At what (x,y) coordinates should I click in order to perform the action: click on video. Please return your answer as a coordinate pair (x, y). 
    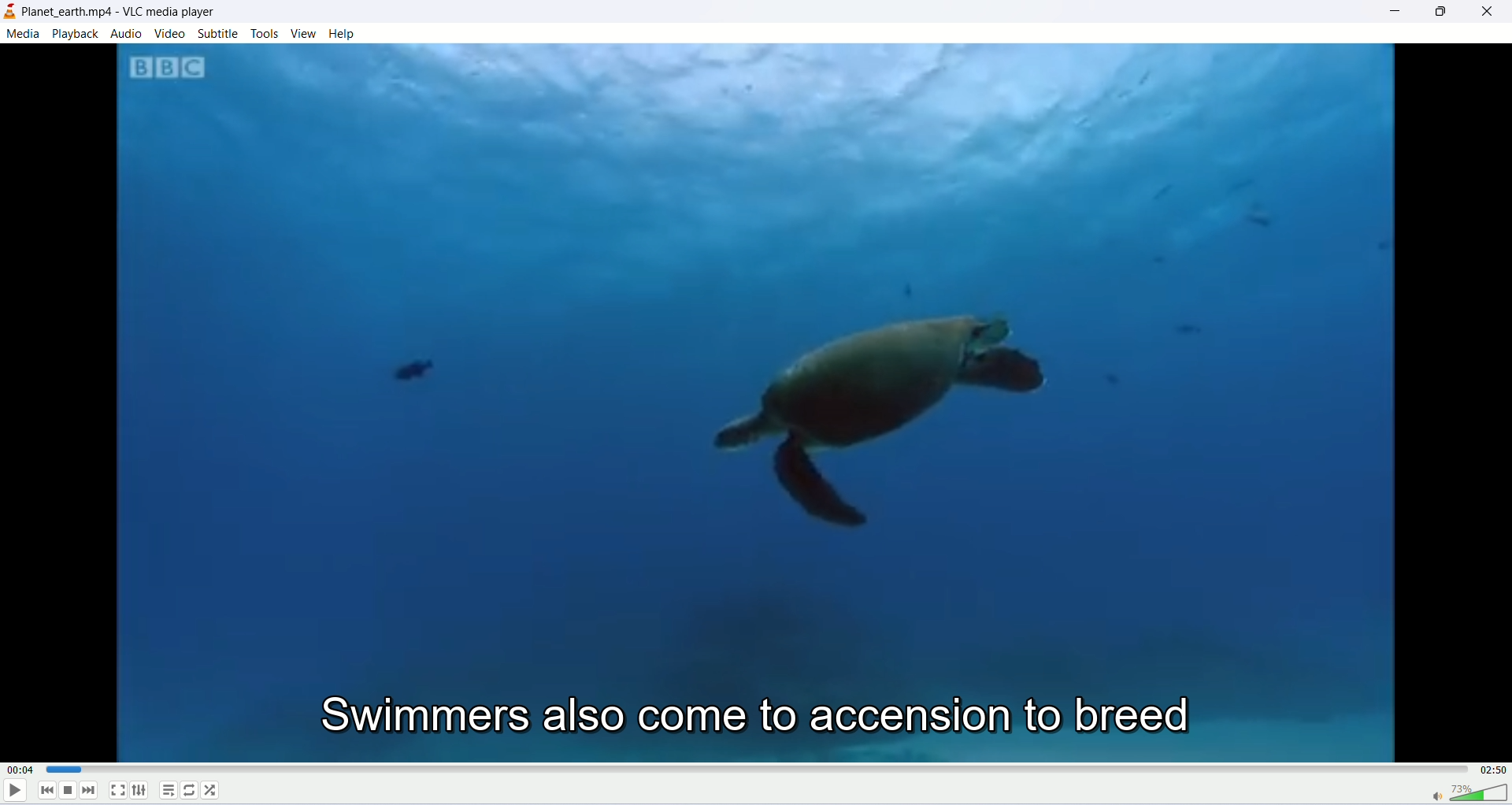
    Looking at the image, I should click on (168, 34).